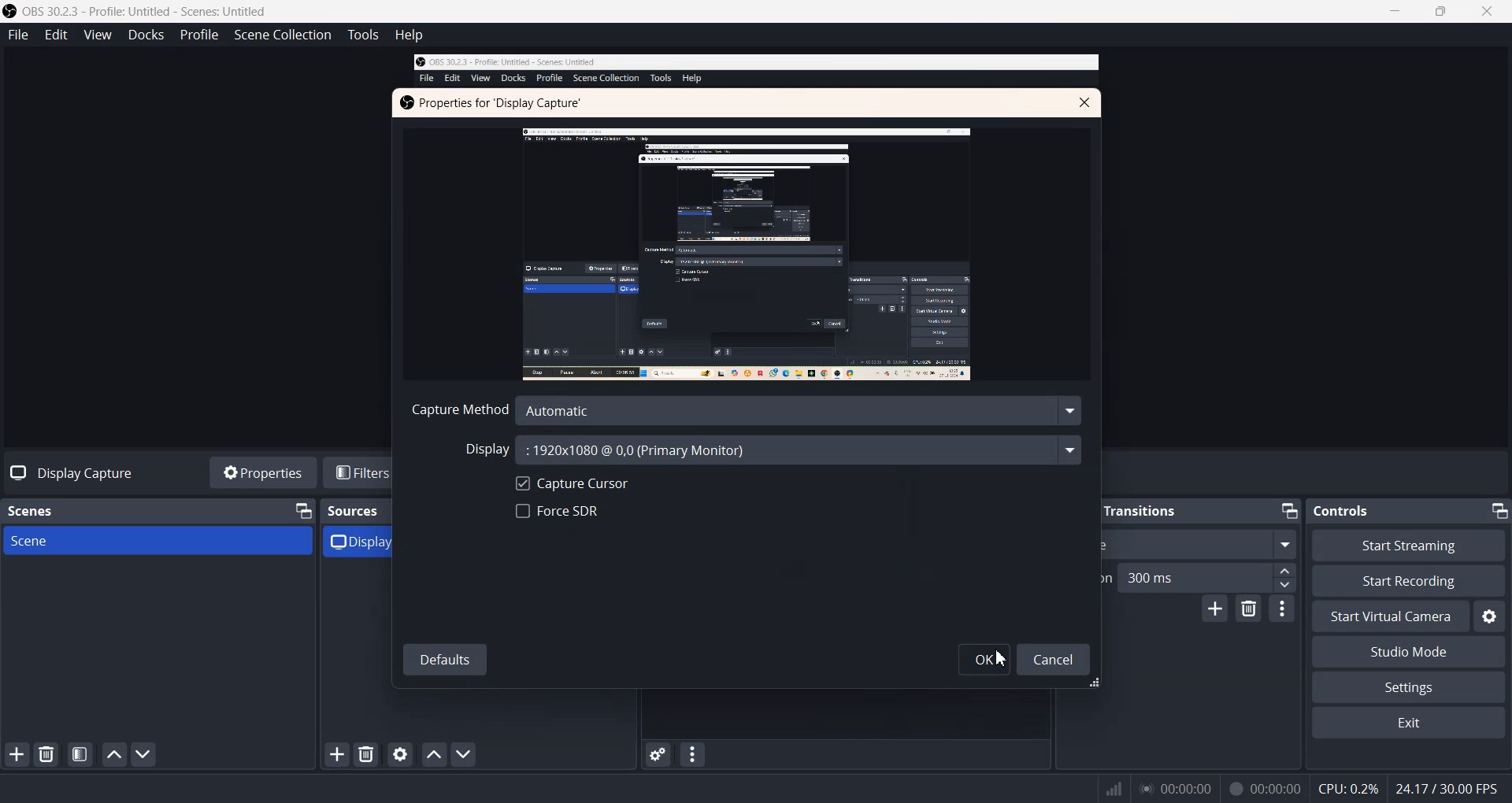 The width and height of the screenshot is (1512, 803). I want to click on Start Recording, so click(1408, 581).